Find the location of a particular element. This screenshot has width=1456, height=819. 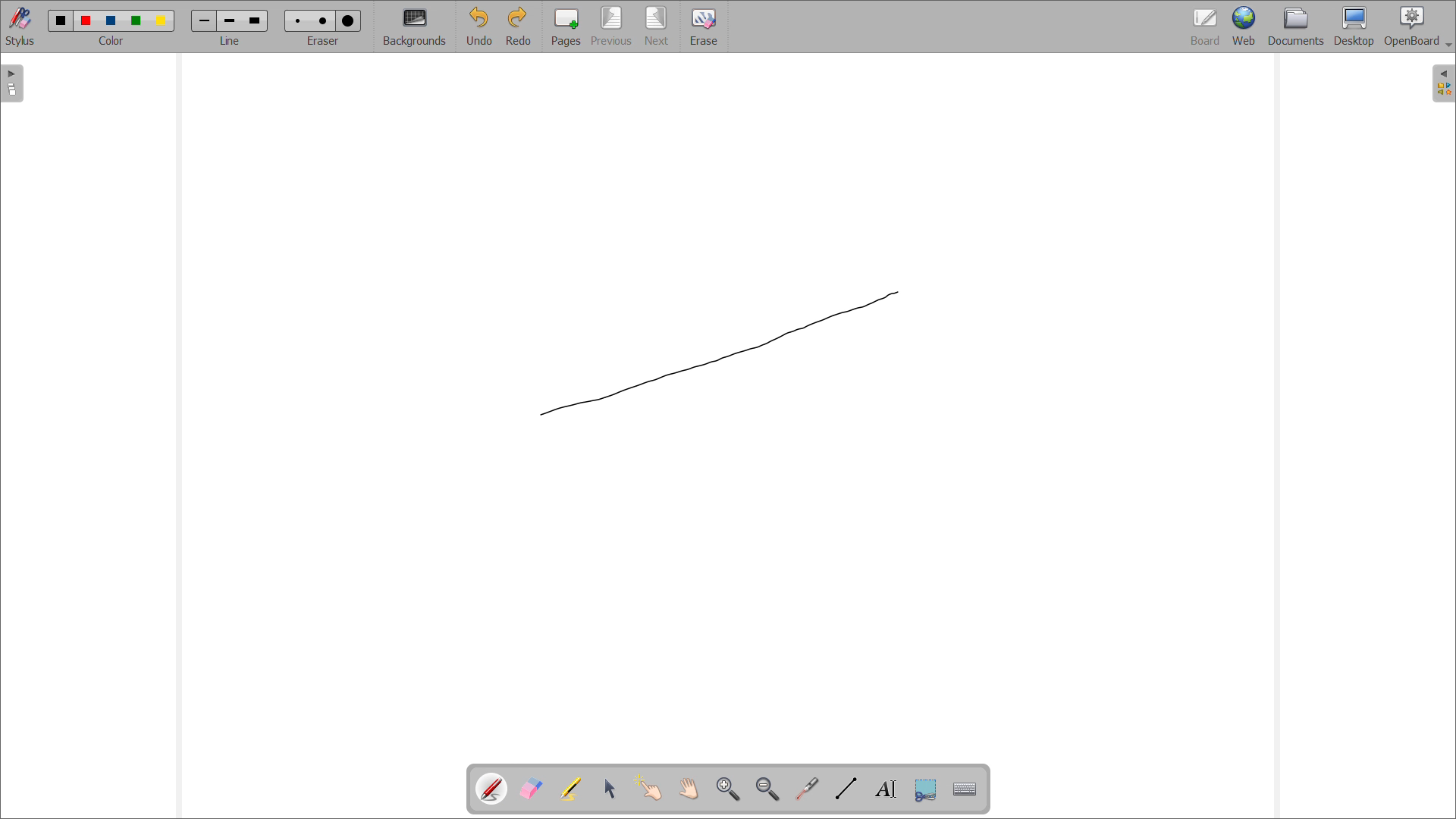

select and modify objects is located at coordinates (610, 789).